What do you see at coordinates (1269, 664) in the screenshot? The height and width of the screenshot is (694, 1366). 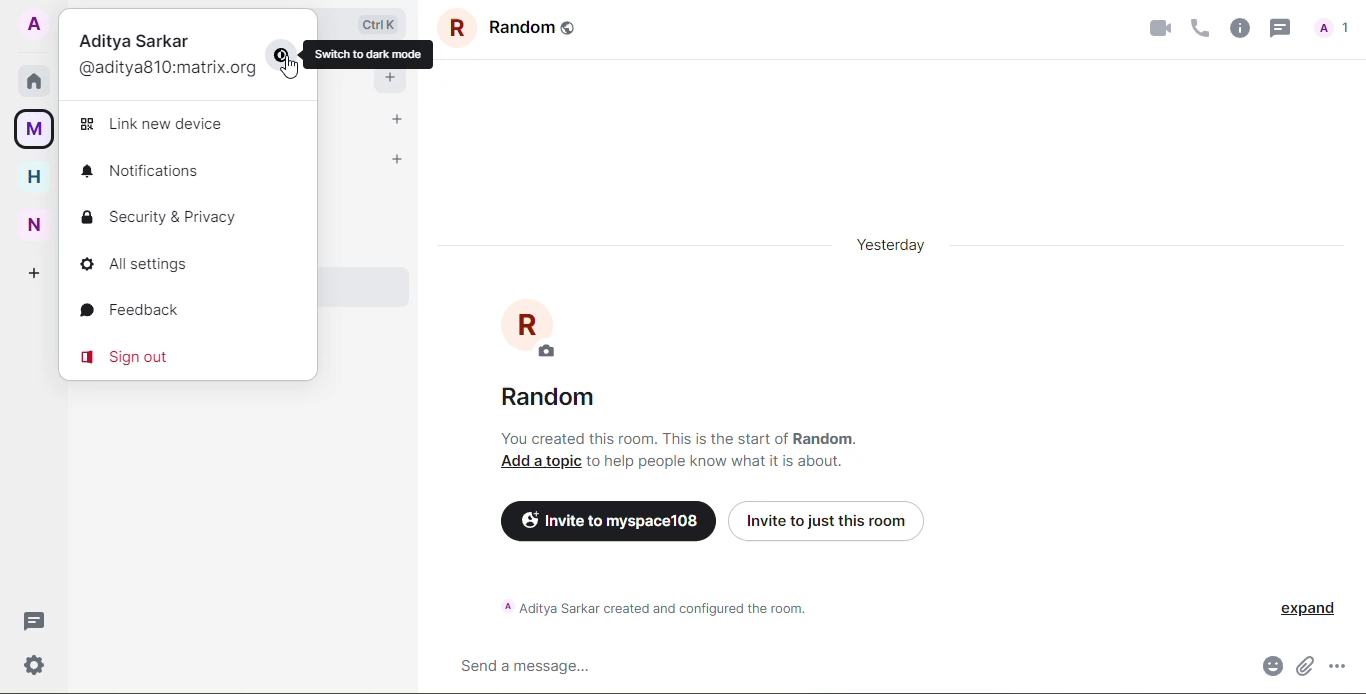 I see `emoji` at bounding box center [1269, 664].